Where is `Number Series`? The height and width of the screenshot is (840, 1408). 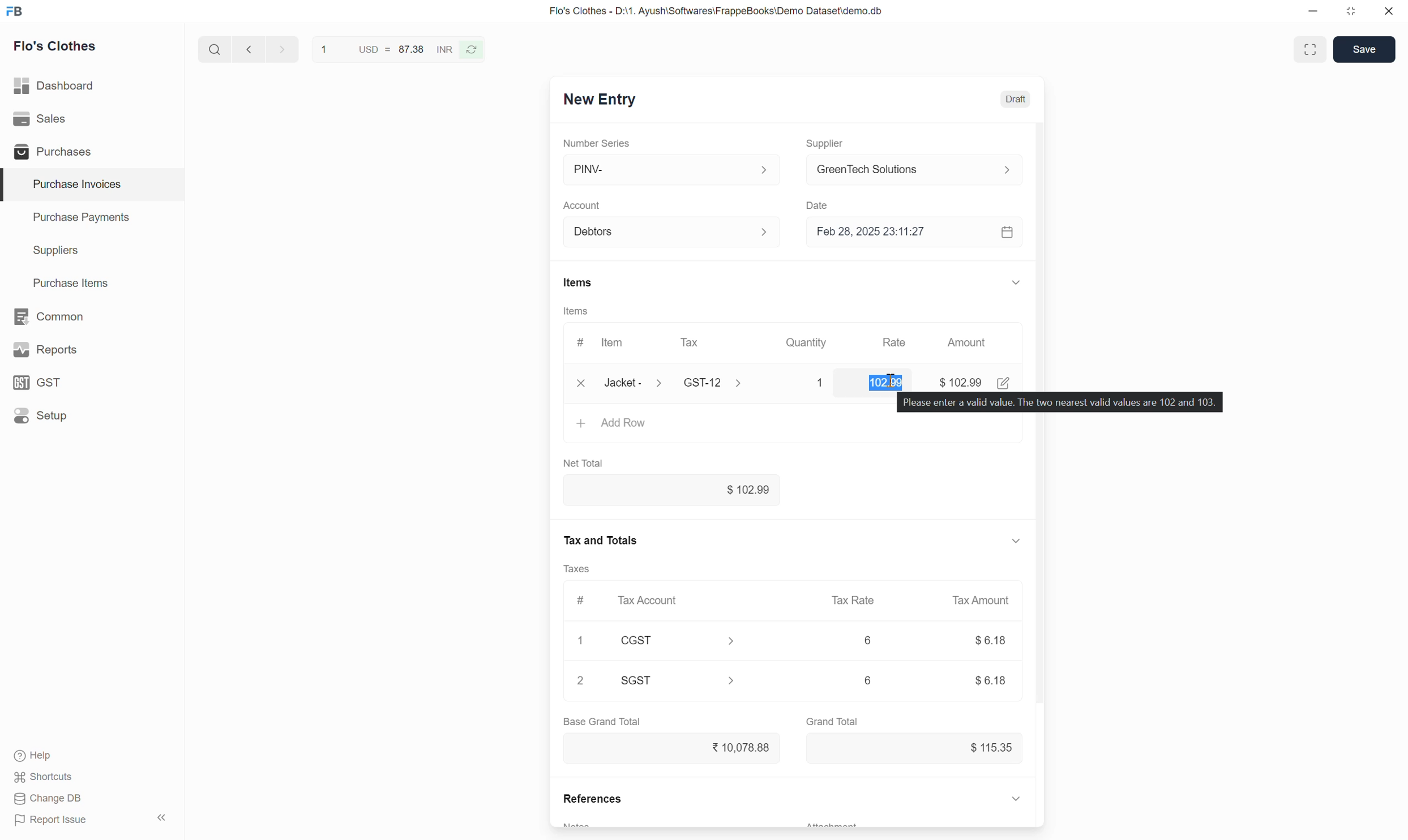
Number Series is located at coordinates (596, 143).